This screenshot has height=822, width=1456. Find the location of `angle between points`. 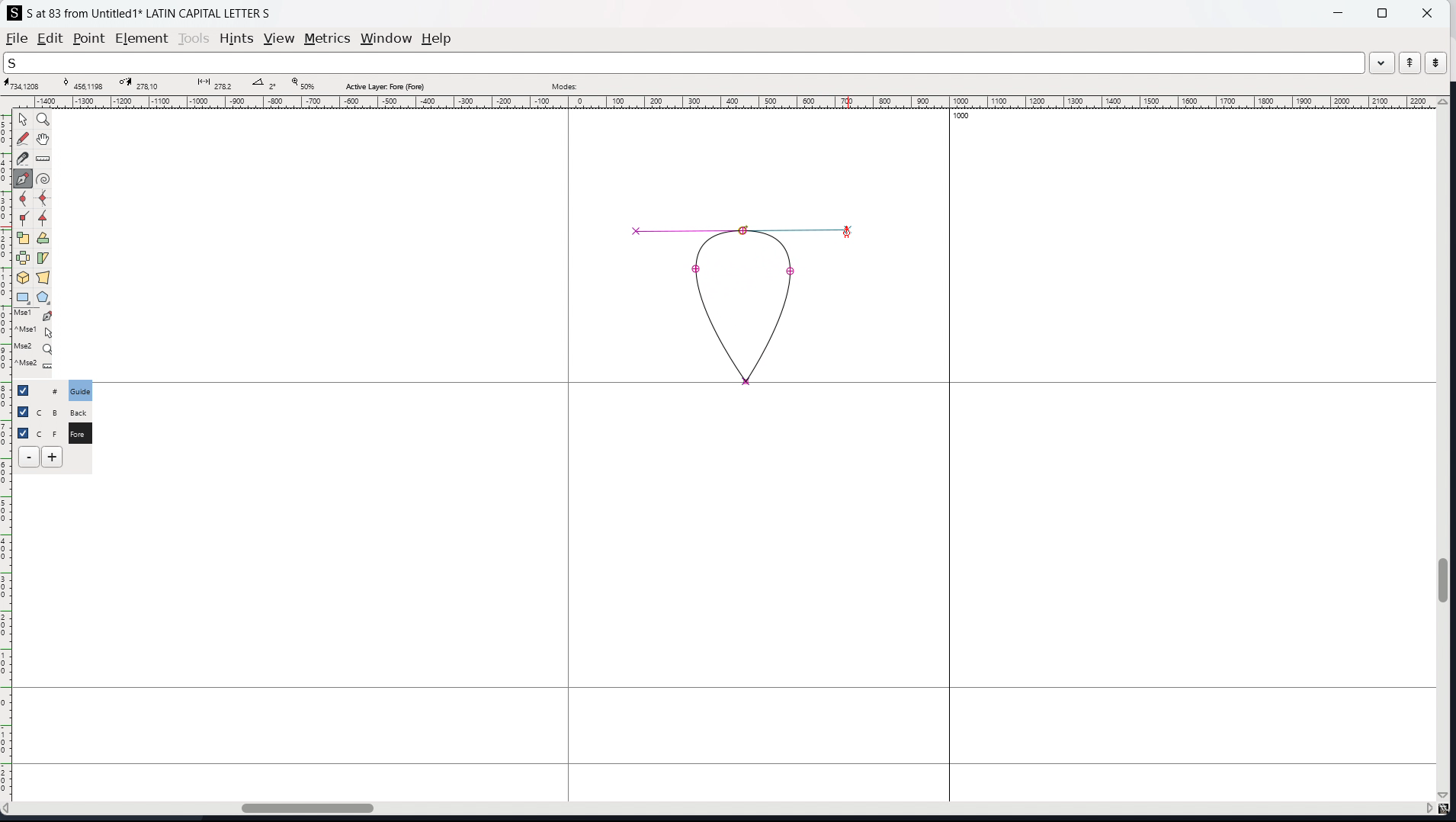

angle between points is located at coordinates (266, 83).